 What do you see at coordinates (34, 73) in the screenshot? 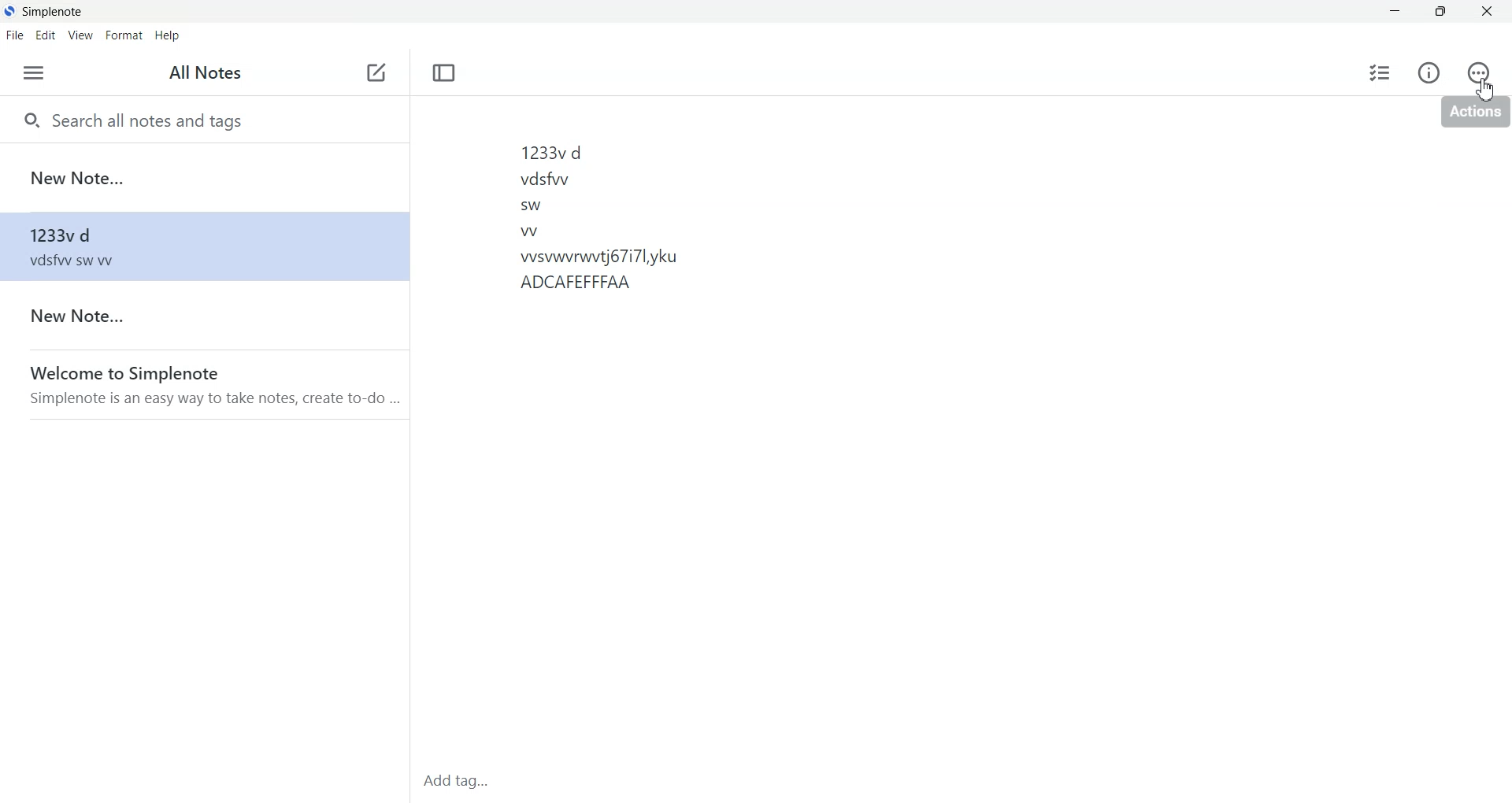
I see `Menu` at bounding box center [34, 73].